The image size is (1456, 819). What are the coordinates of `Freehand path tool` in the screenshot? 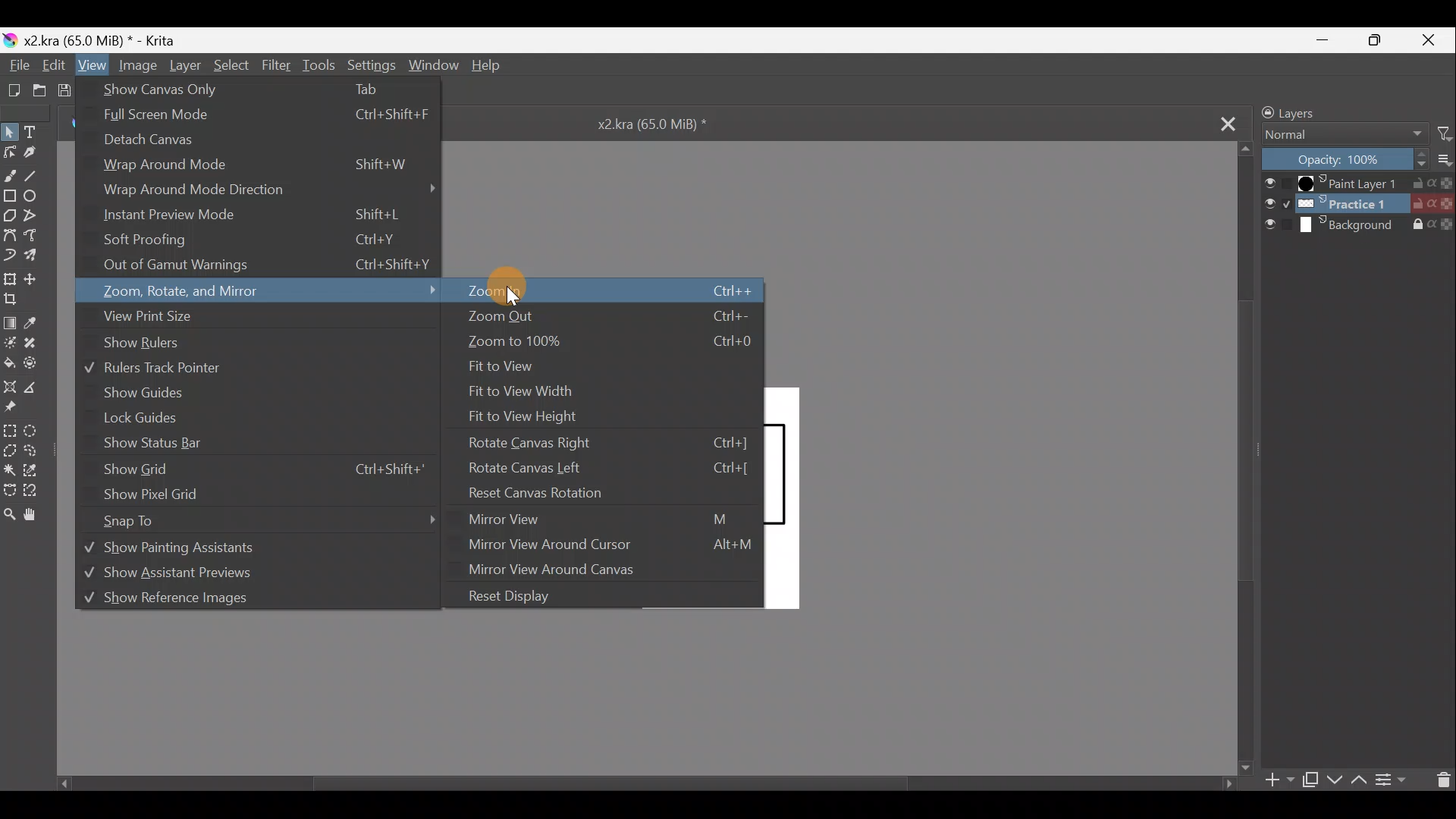 It's located at (38, 235).